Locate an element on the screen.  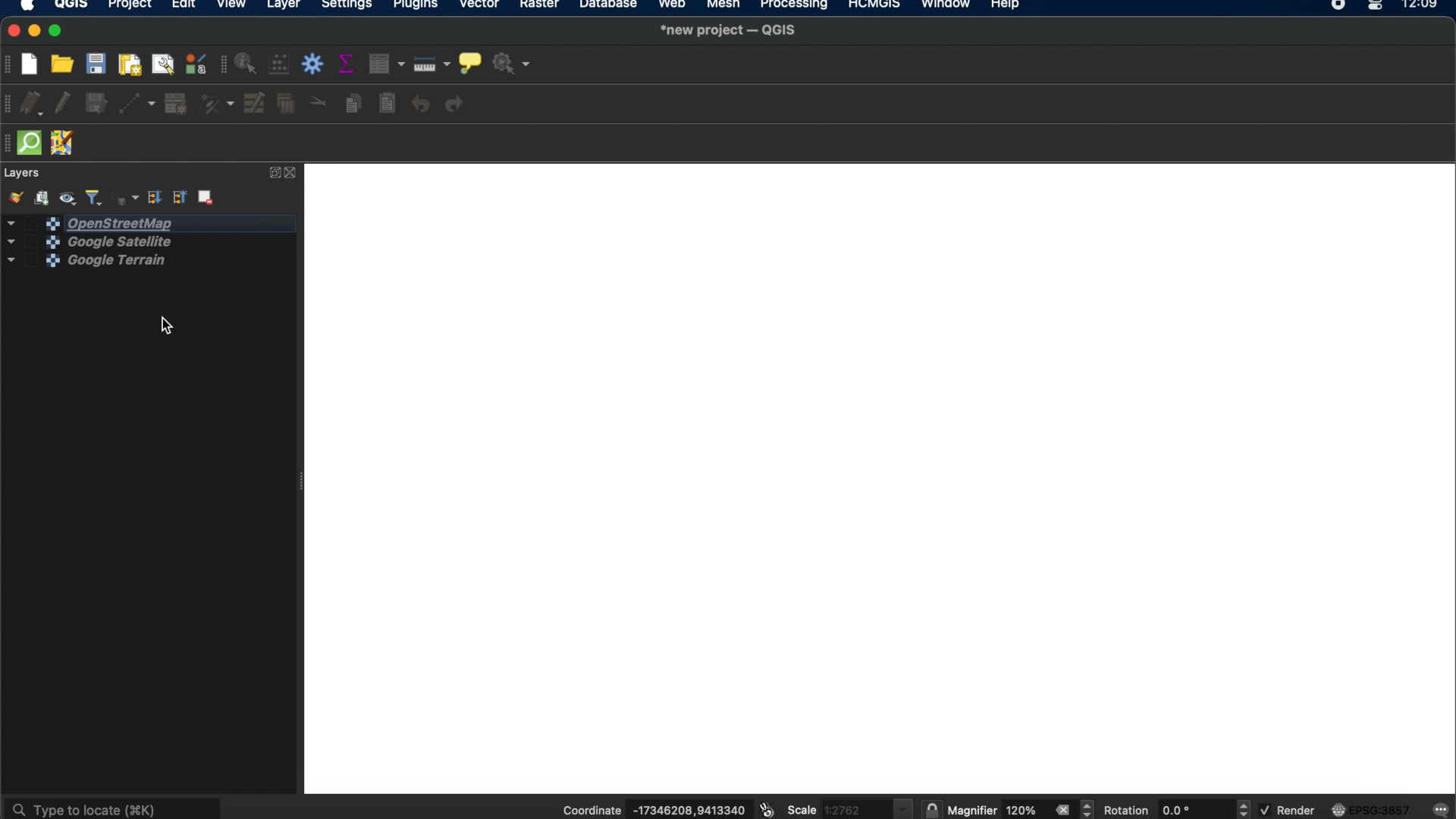
paste features is located at coordinates (389, 104).